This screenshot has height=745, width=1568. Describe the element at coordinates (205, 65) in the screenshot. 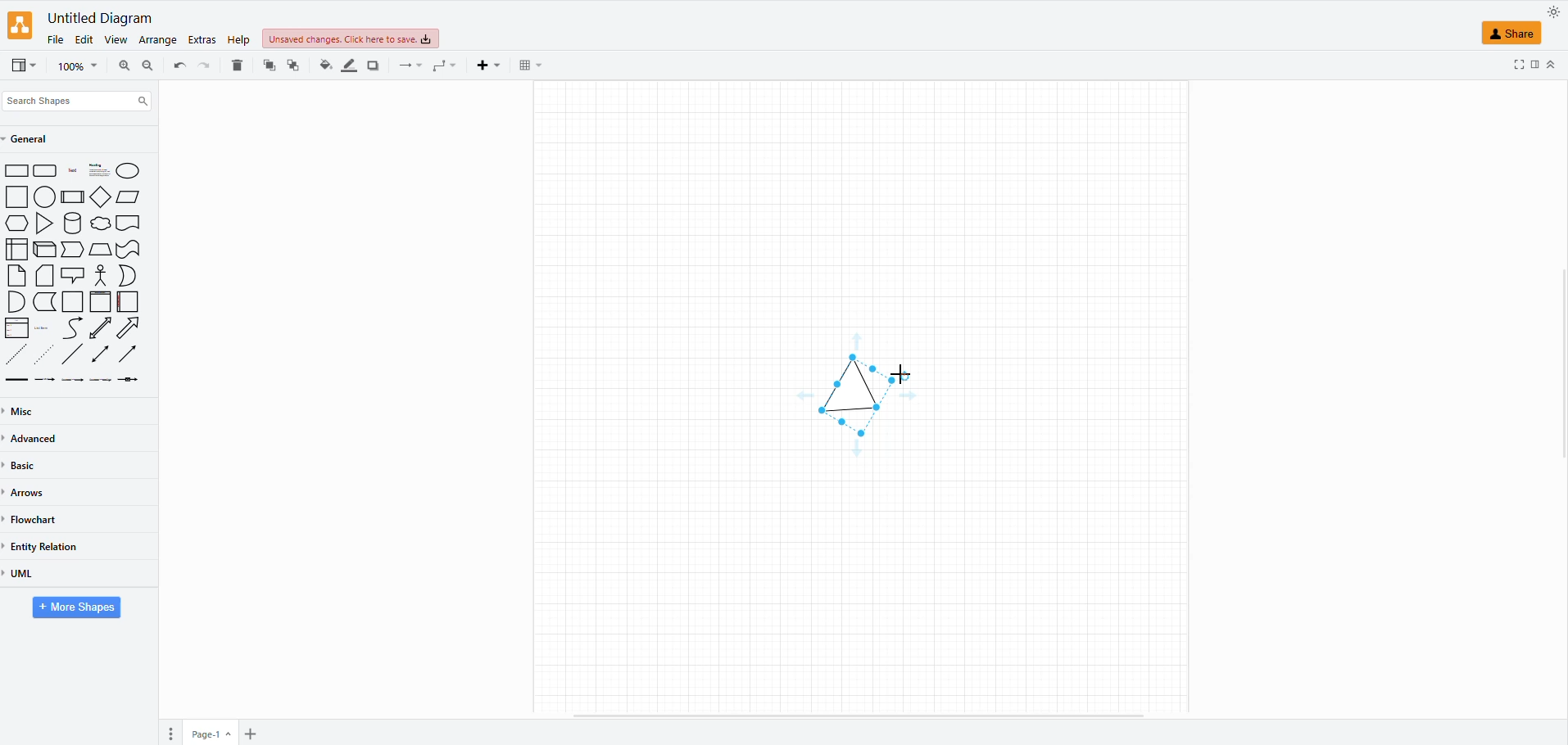

I see `undo` at that location.